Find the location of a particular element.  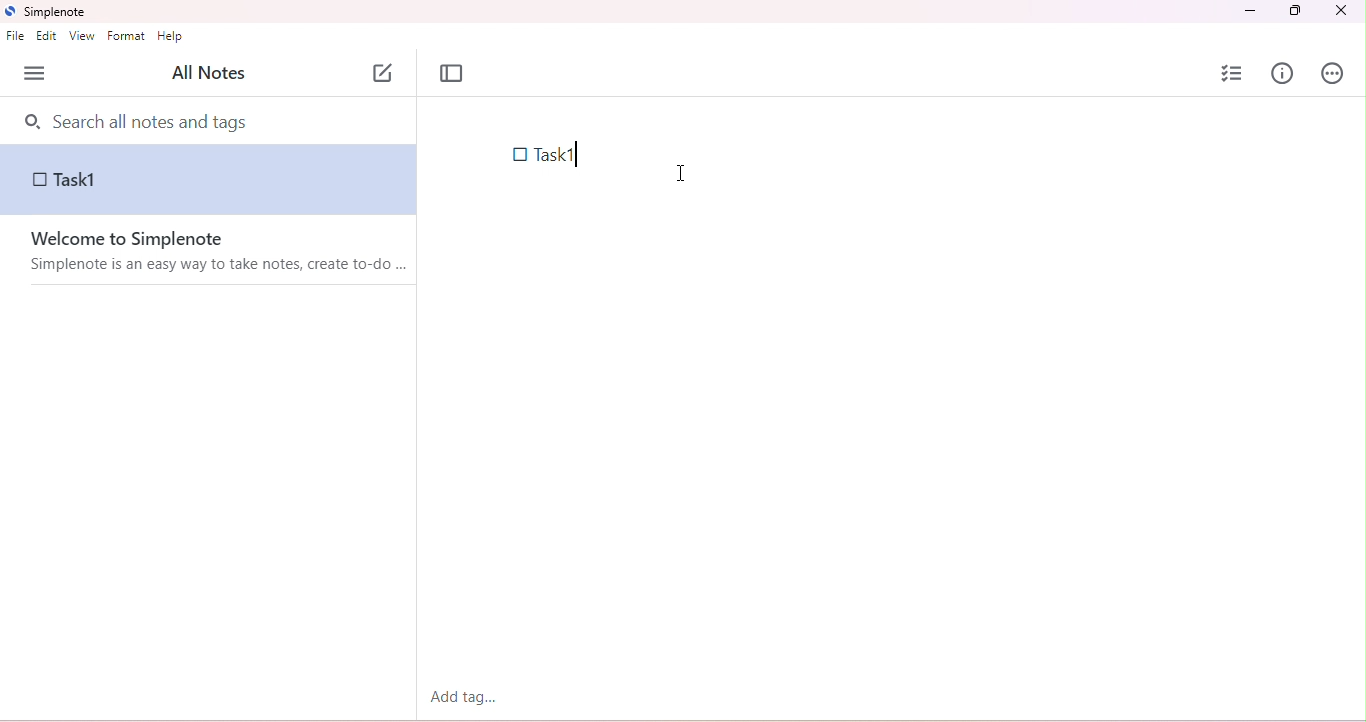

typing cursor is located at coordinates (680, 170).